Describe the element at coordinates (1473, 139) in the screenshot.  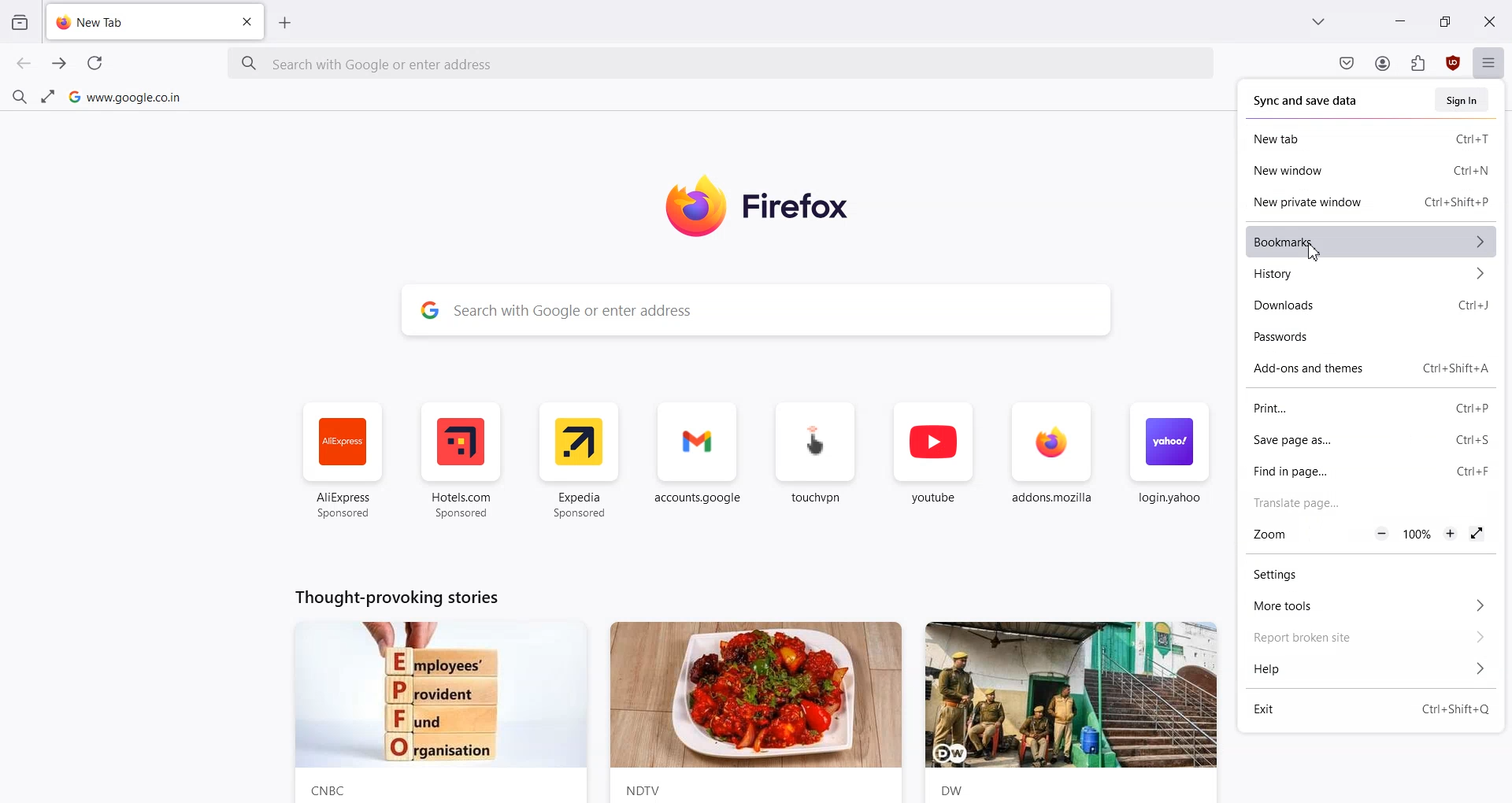
I see `Shortcut key` at that location.